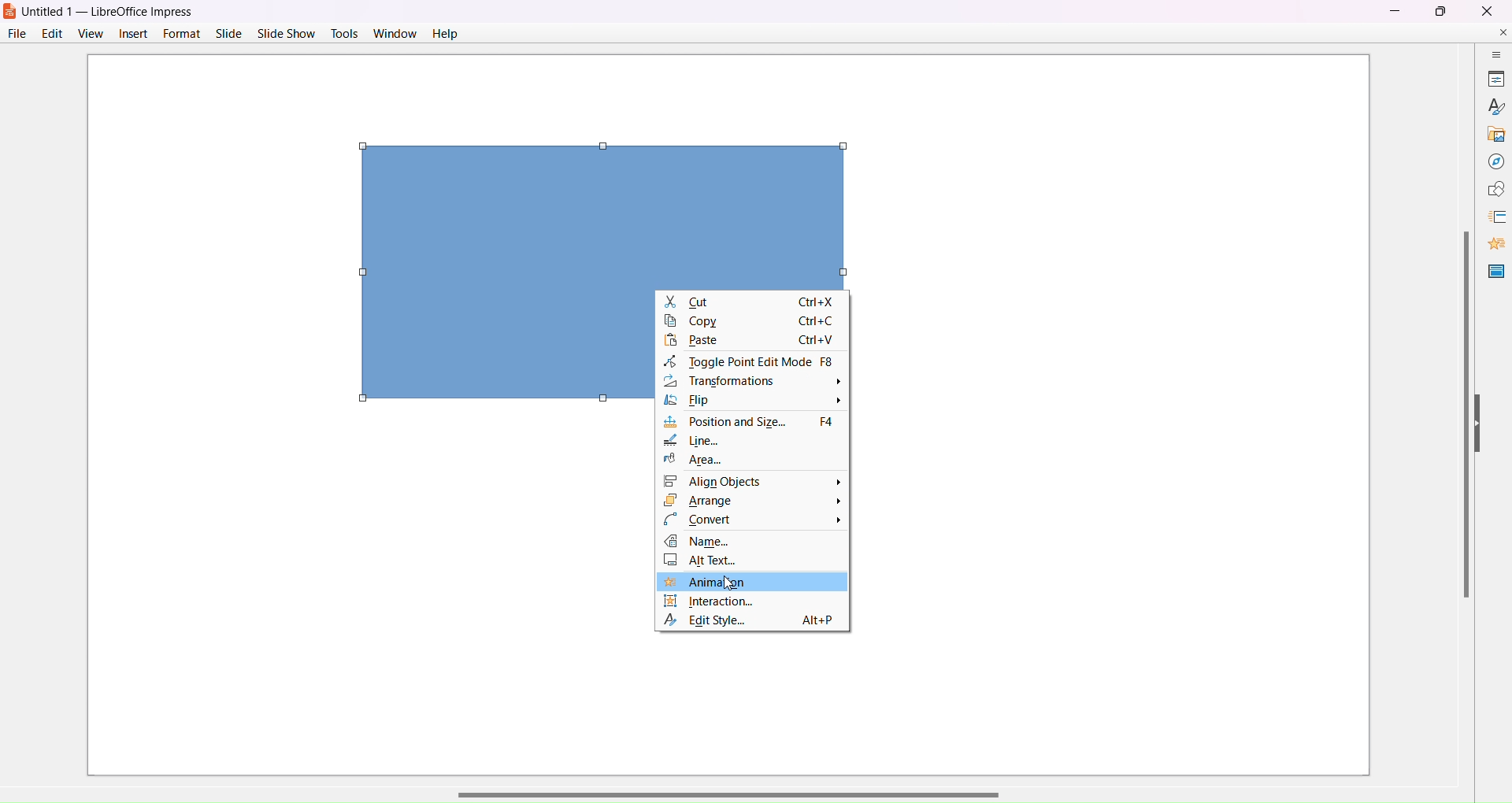 The width and height of the screenshot is (1512, 803). What do you see at coordinates (228, 33) in the screenshot?
I see `Slide` at bounding box center [228, 33].